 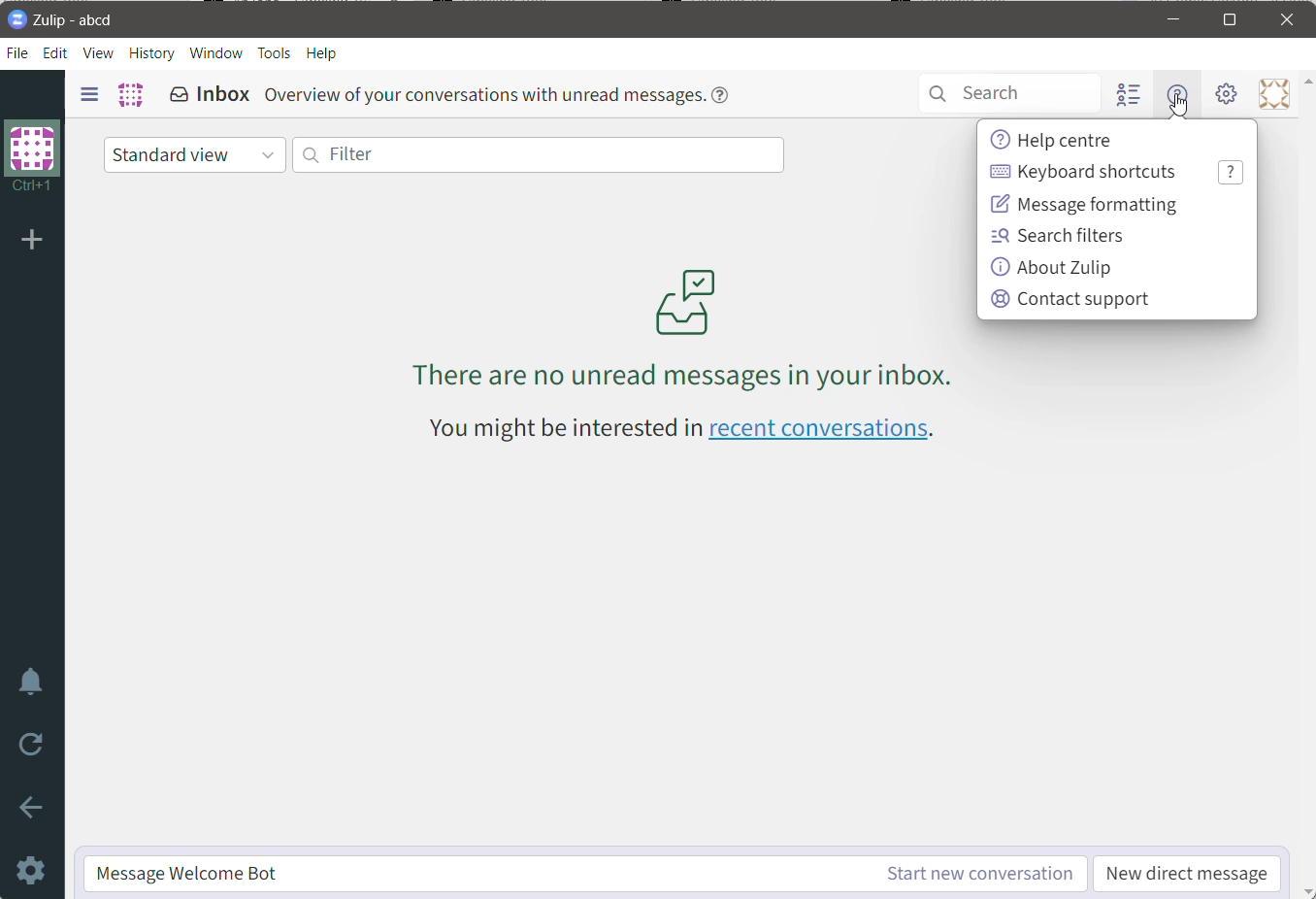 I want to click on View, so click(x=99, y=54).